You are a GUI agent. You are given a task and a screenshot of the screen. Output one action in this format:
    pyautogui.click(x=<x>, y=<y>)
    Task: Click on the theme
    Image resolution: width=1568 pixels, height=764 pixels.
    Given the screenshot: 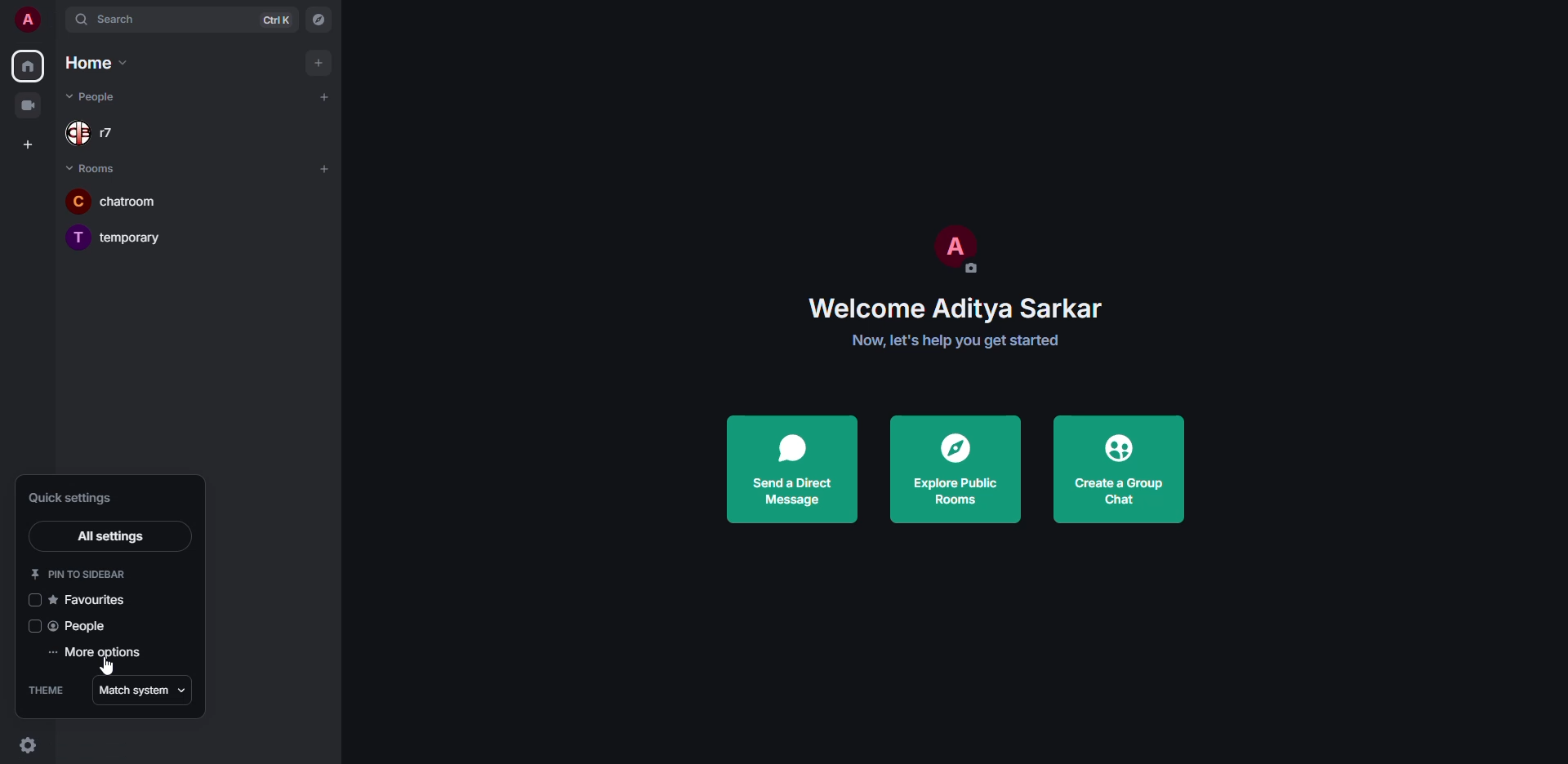 What is the action you would take?
    pyautogui.click(x=47, y=690)
    